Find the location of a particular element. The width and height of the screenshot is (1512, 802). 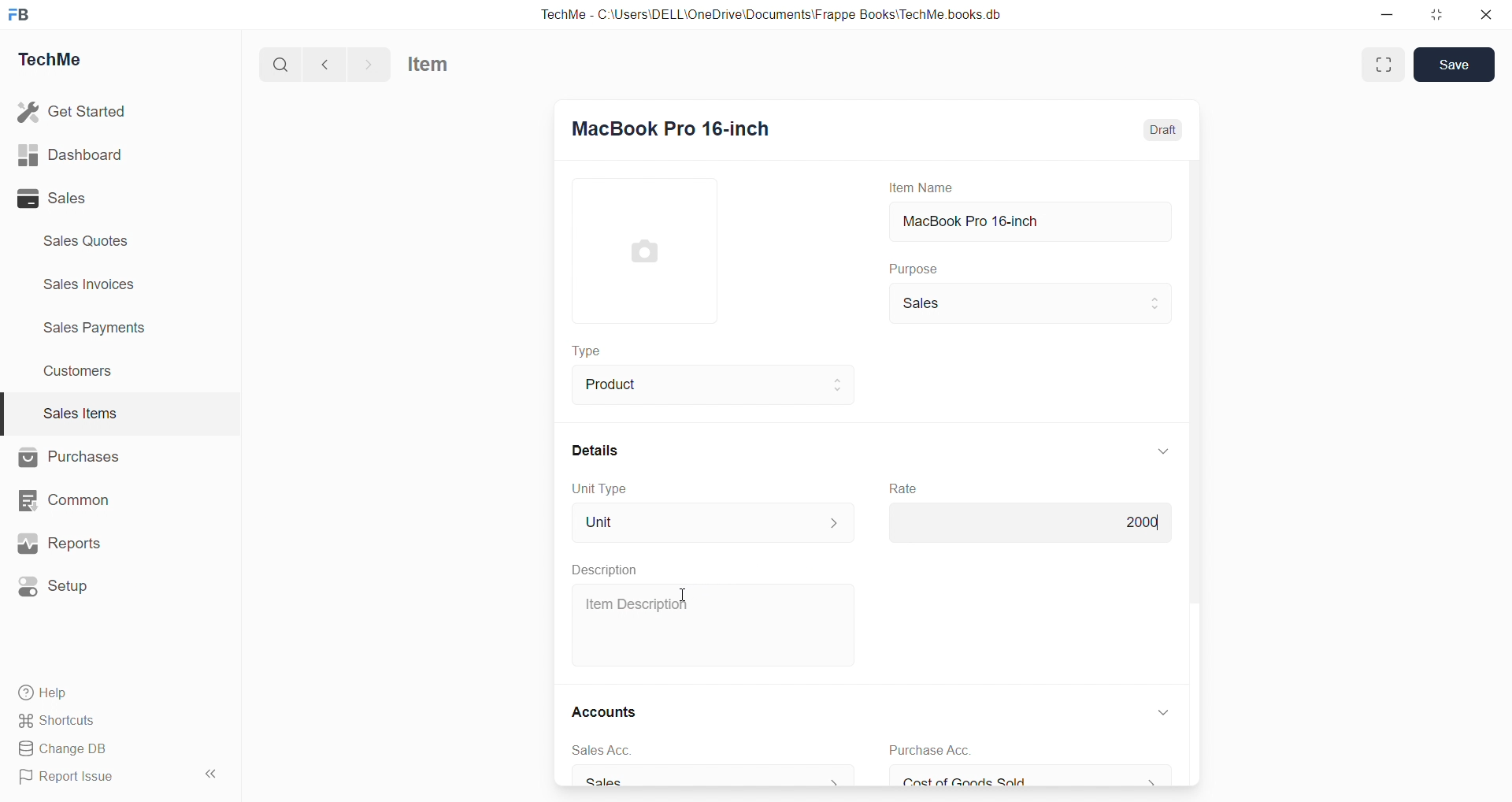

Sales is located at coordinates (54, 199).